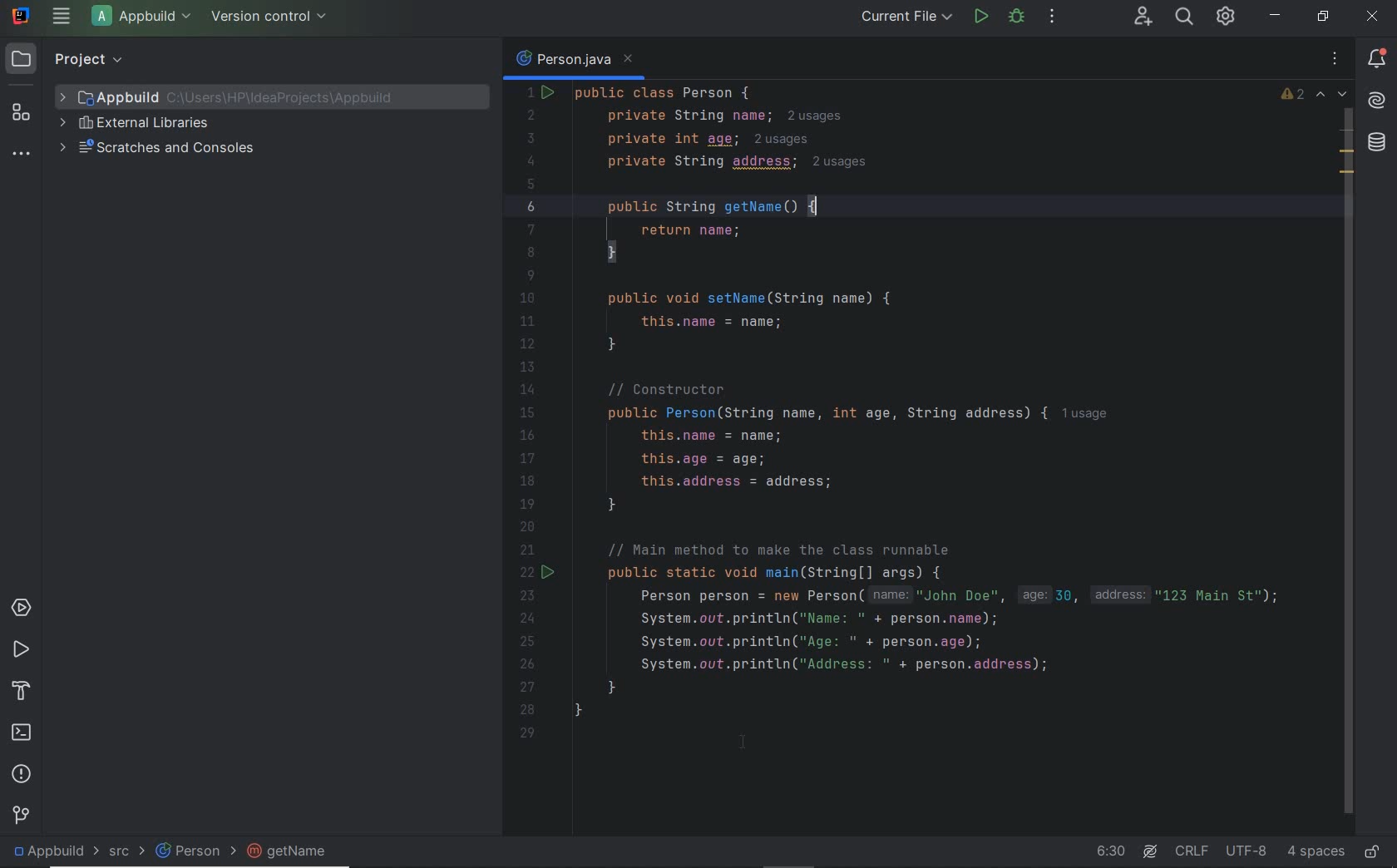 The image size is (1397, 868). I want to click on version control, so click(273, 17).